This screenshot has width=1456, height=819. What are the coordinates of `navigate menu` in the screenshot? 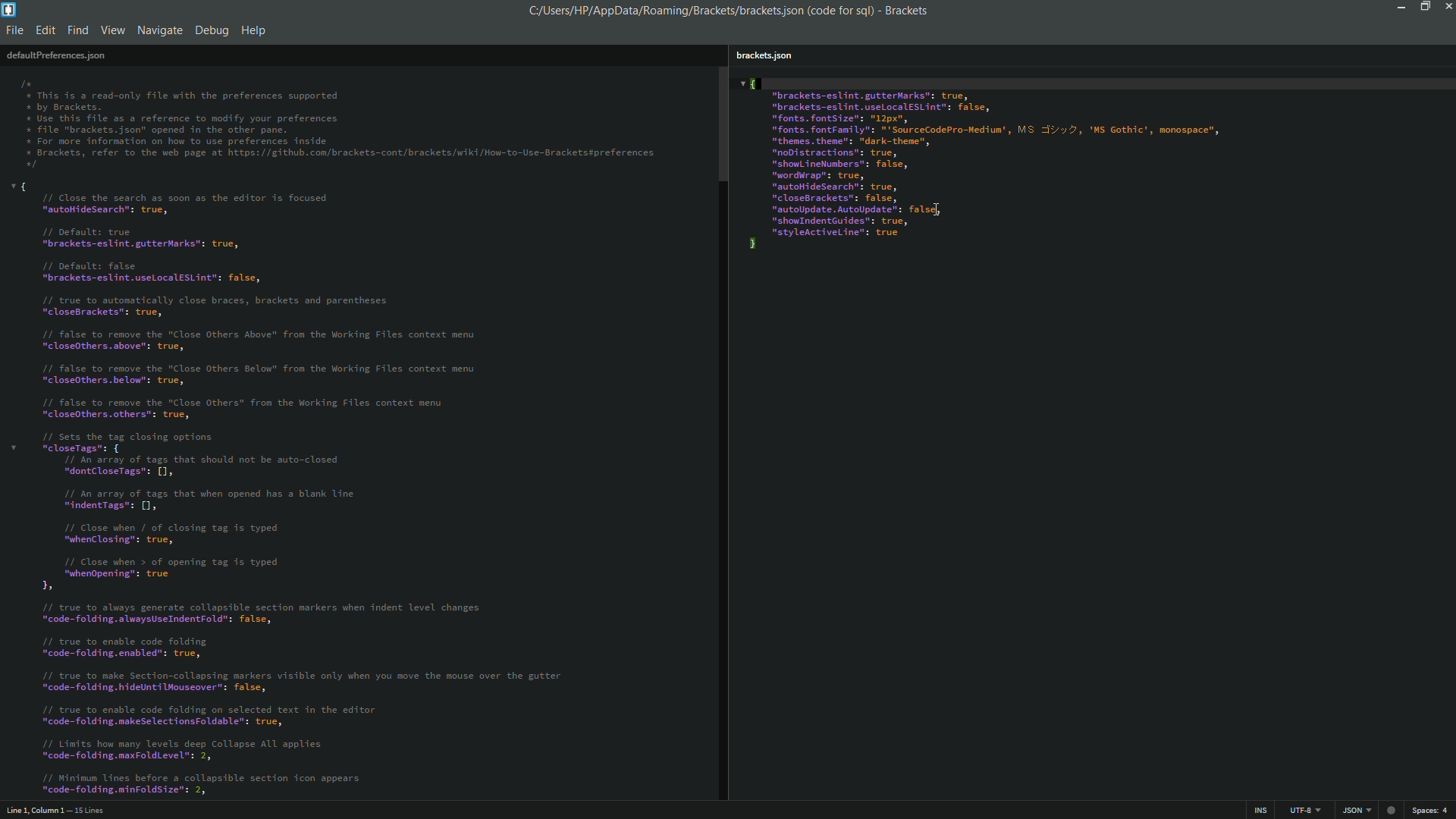 It's located at (158, 30).